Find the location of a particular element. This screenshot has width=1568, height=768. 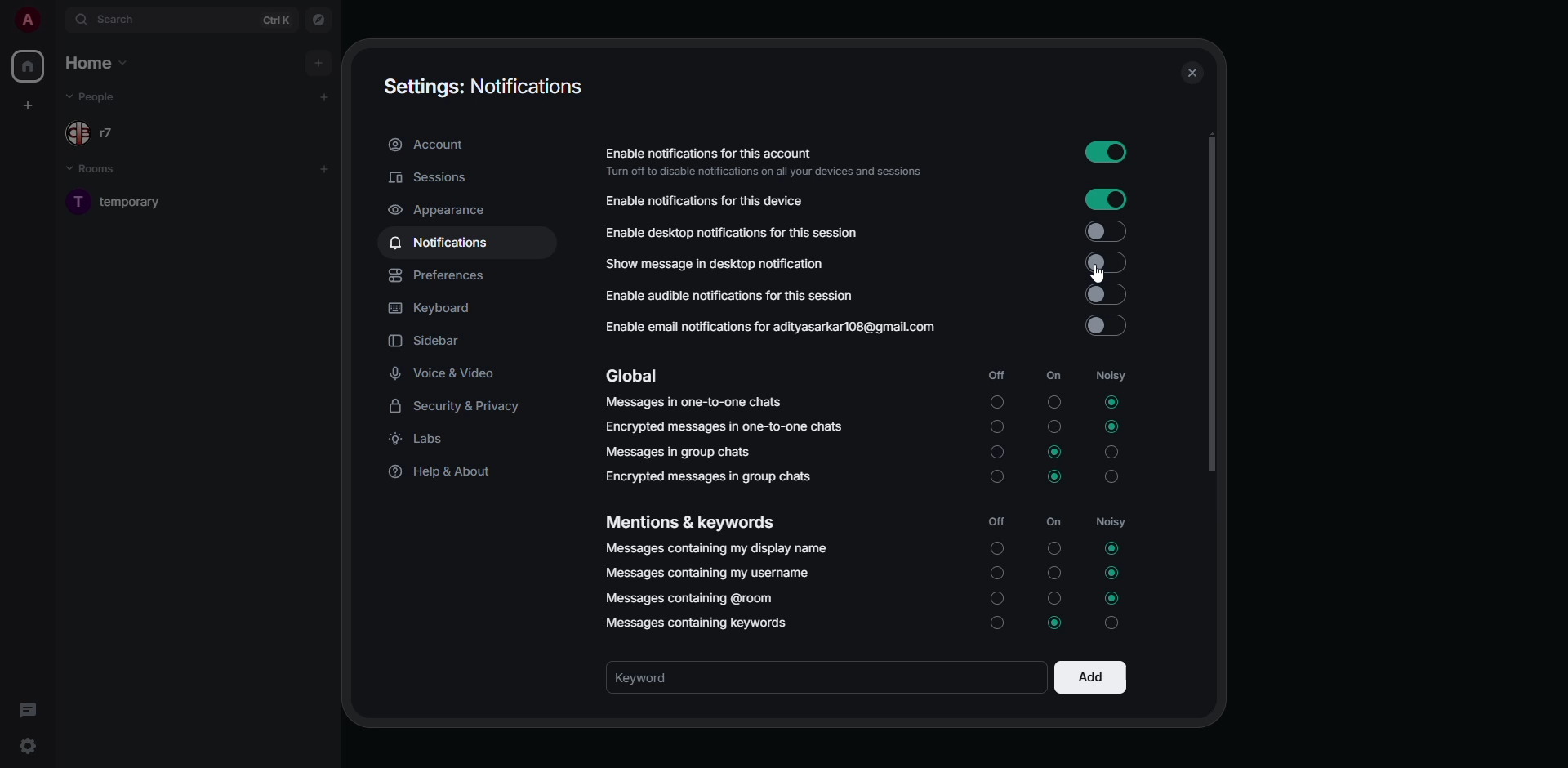

noisy is located at coordinates (1113, 522).